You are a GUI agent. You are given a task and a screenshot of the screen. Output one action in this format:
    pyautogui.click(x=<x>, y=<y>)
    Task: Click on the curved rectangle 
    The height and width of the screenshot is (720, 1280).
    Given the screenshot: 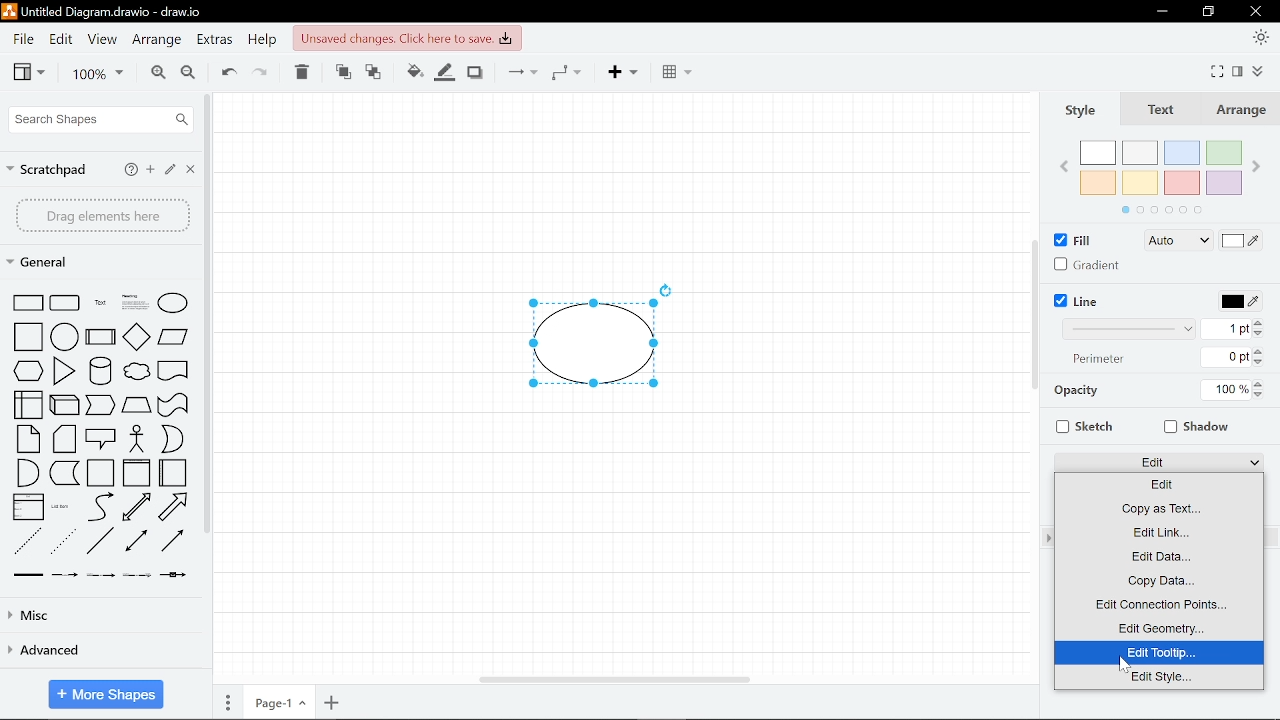 What is the action you would take?
    pyautogui.click(x=66, y=302)
    